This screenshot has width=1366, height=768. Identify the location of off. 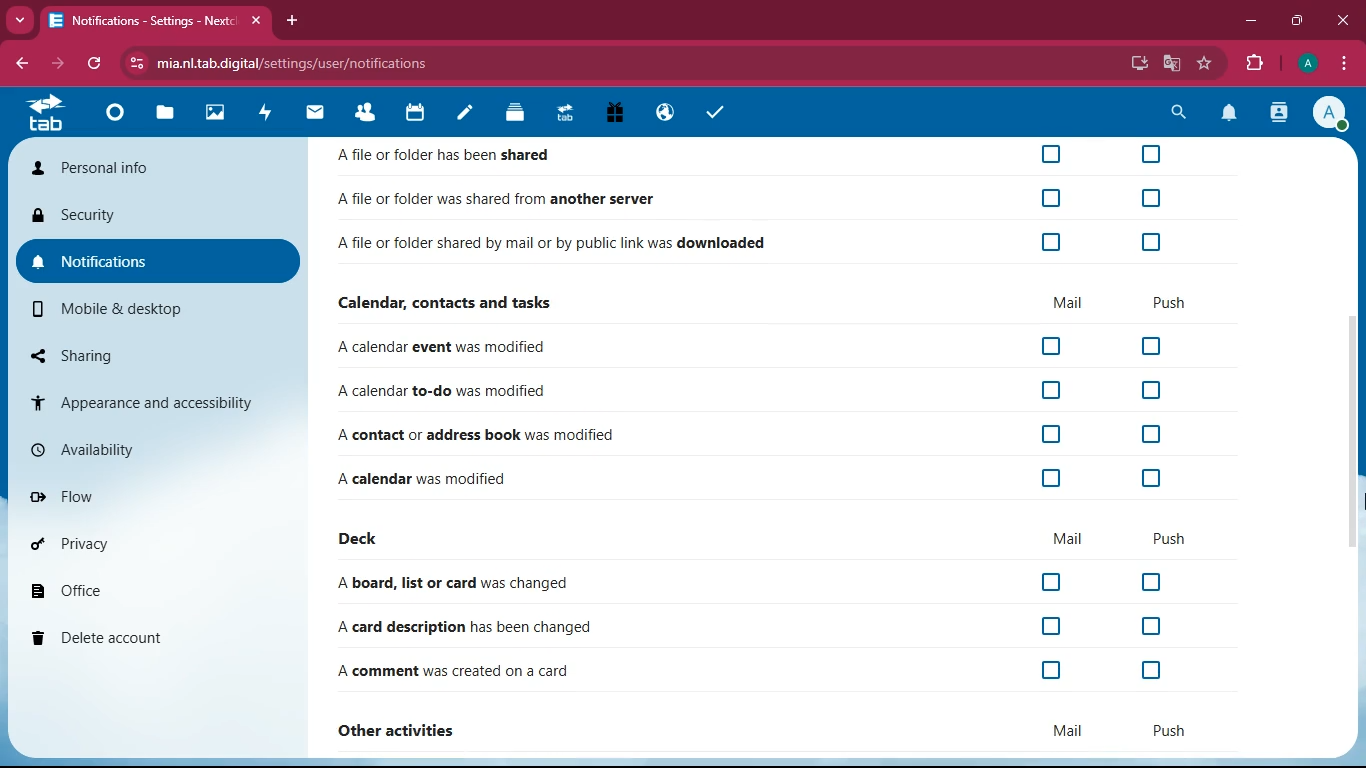
(1151, 240).